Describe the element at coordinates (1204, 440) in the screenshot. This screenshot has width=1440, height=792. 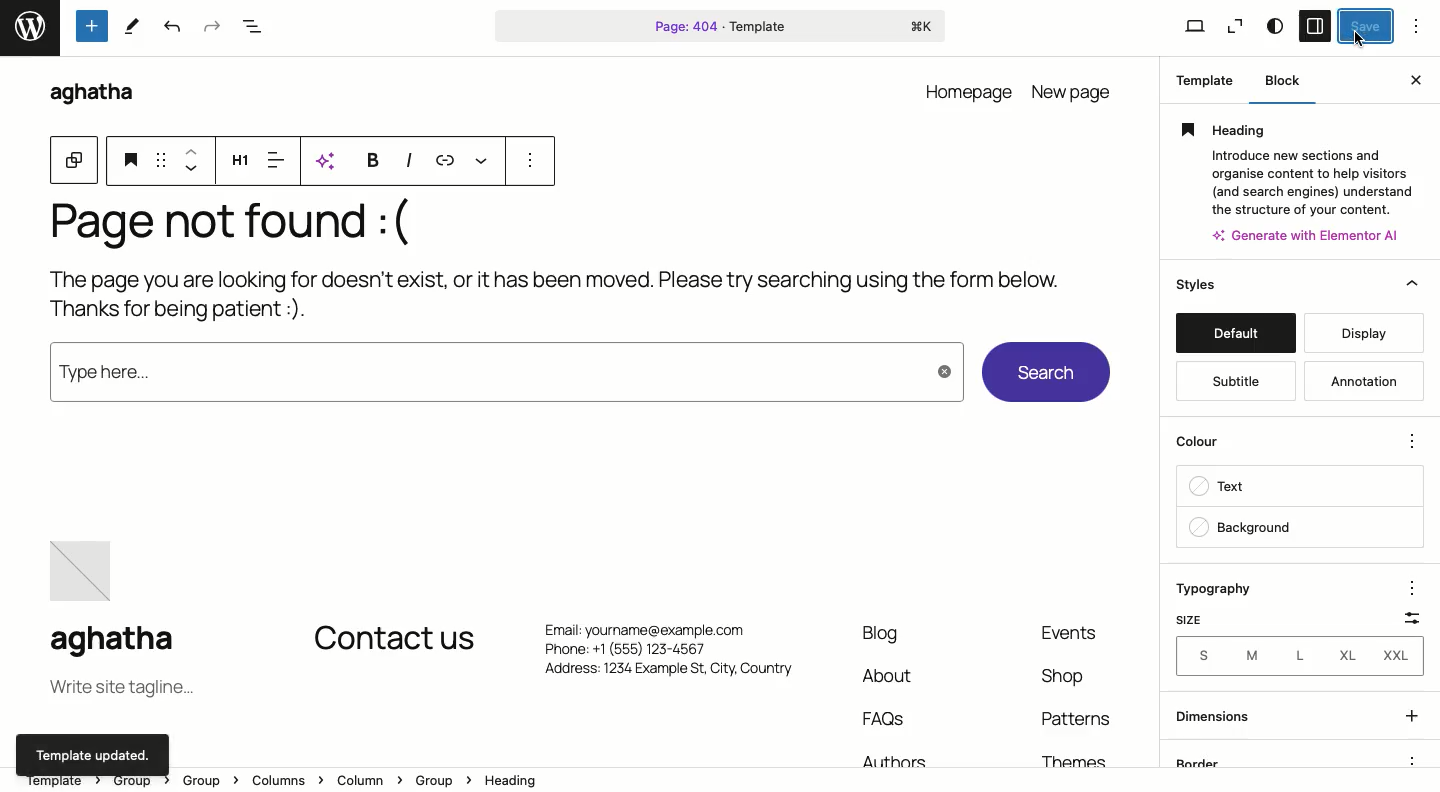
I see `color` at that location.